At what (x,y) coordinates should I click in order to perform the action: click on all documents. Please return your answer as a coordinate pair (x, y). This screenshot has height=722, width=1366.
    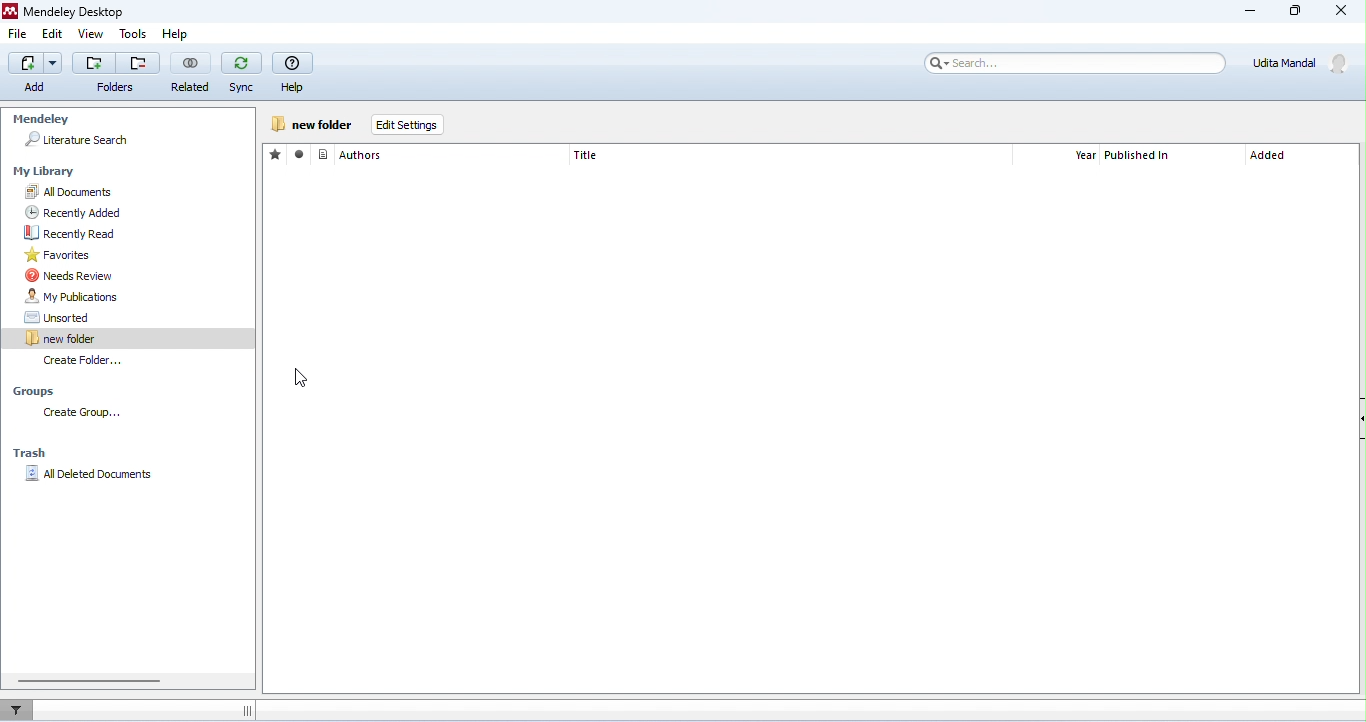
    Looking at the image, I should click on (136, 192).